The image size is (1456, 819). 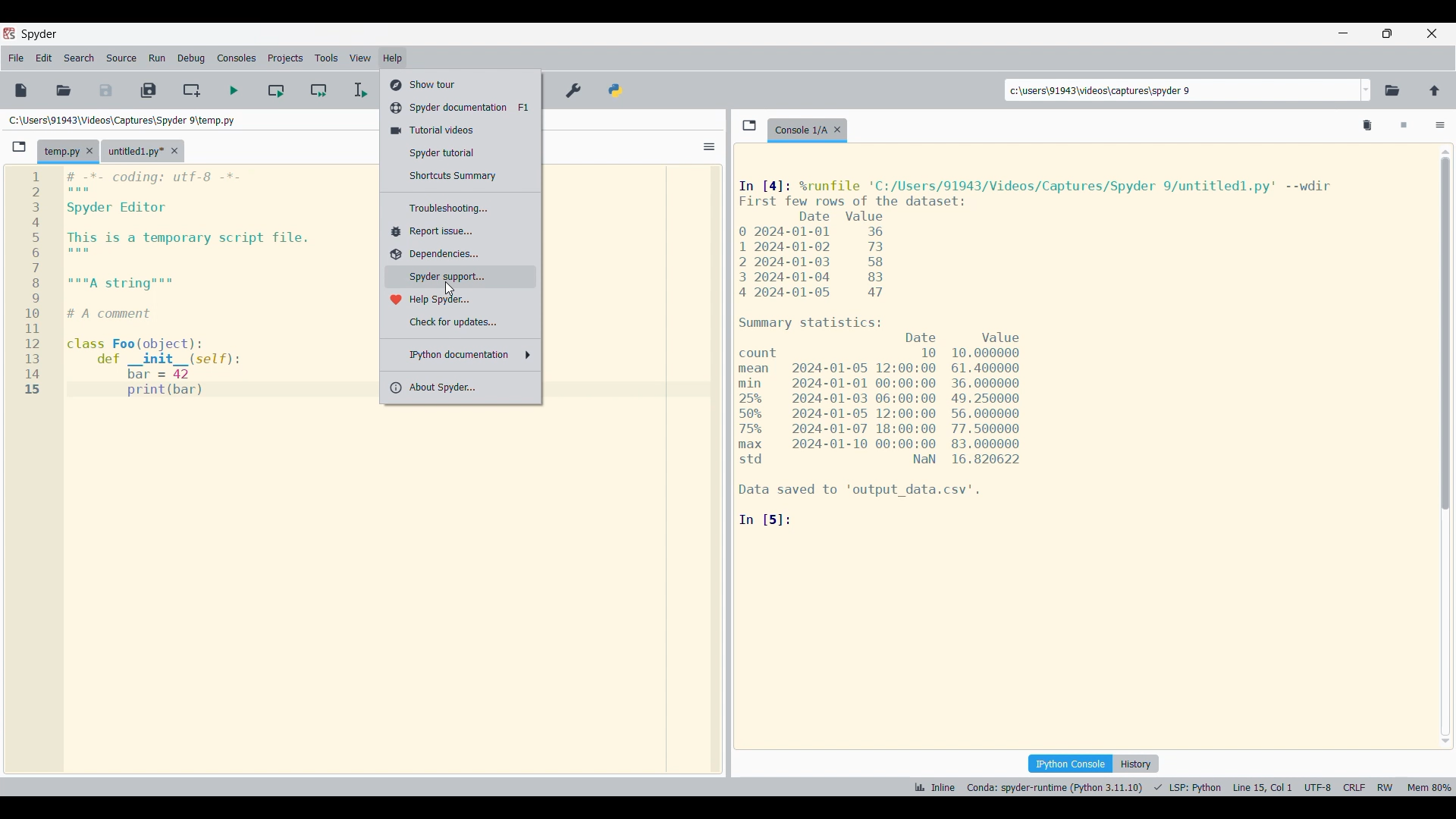 I want to click on Current tab highlighted, so click(x=61, y=152).